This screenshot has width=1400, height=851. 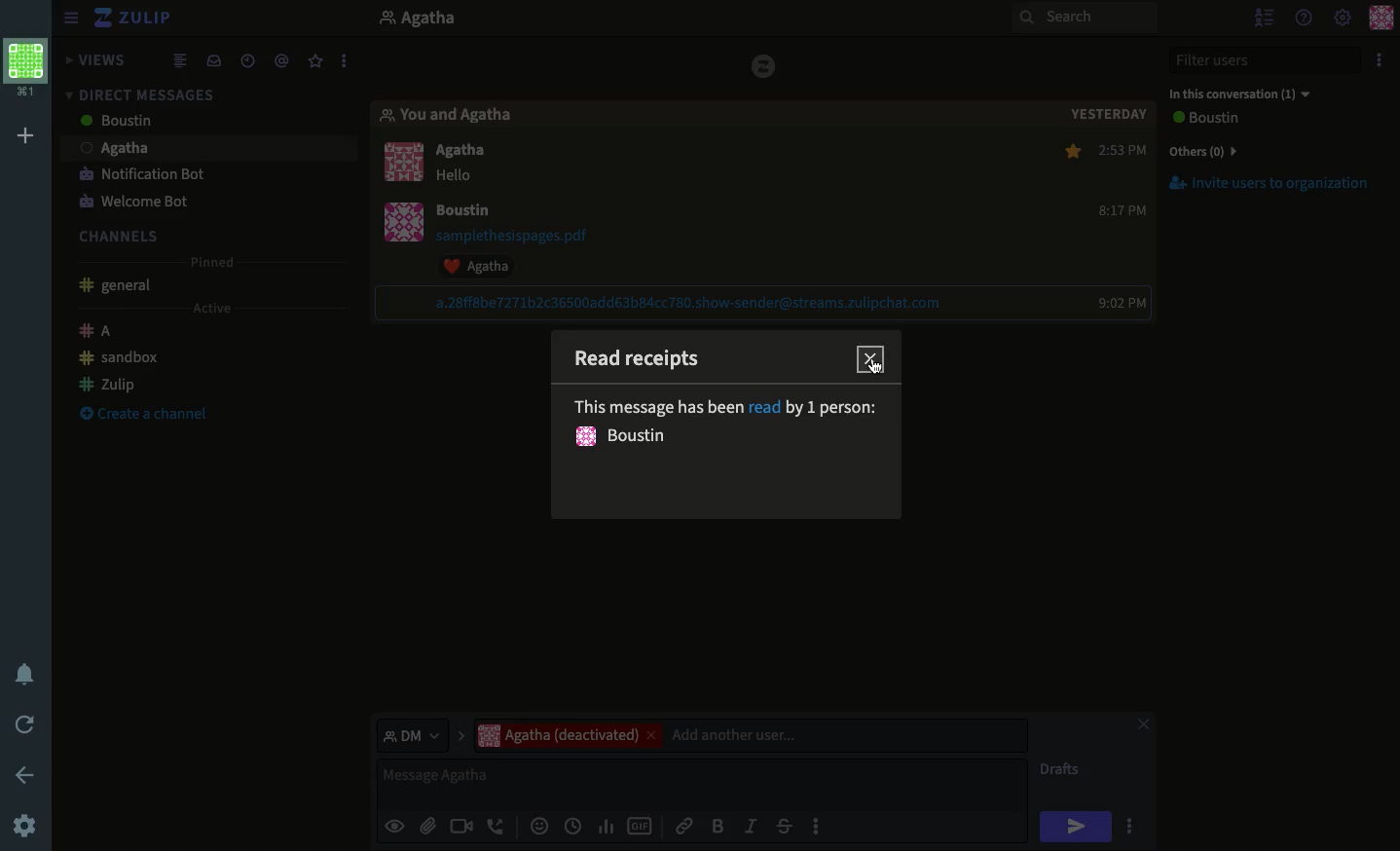 I want to click on Profile, so click(x=409, y=199).